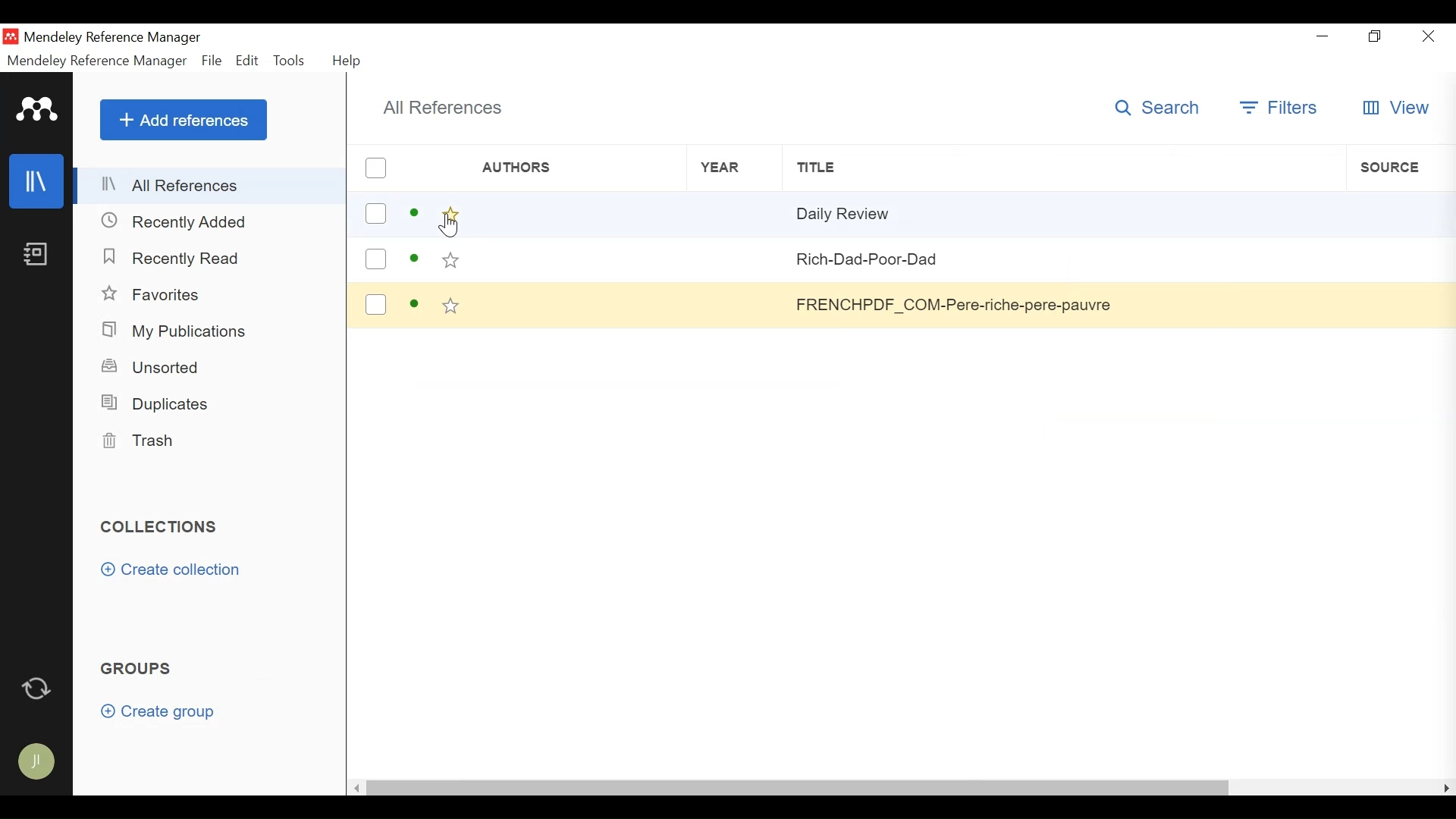 This screenshot has height=819, width=1456. I want to click on File, so click(212, 60).